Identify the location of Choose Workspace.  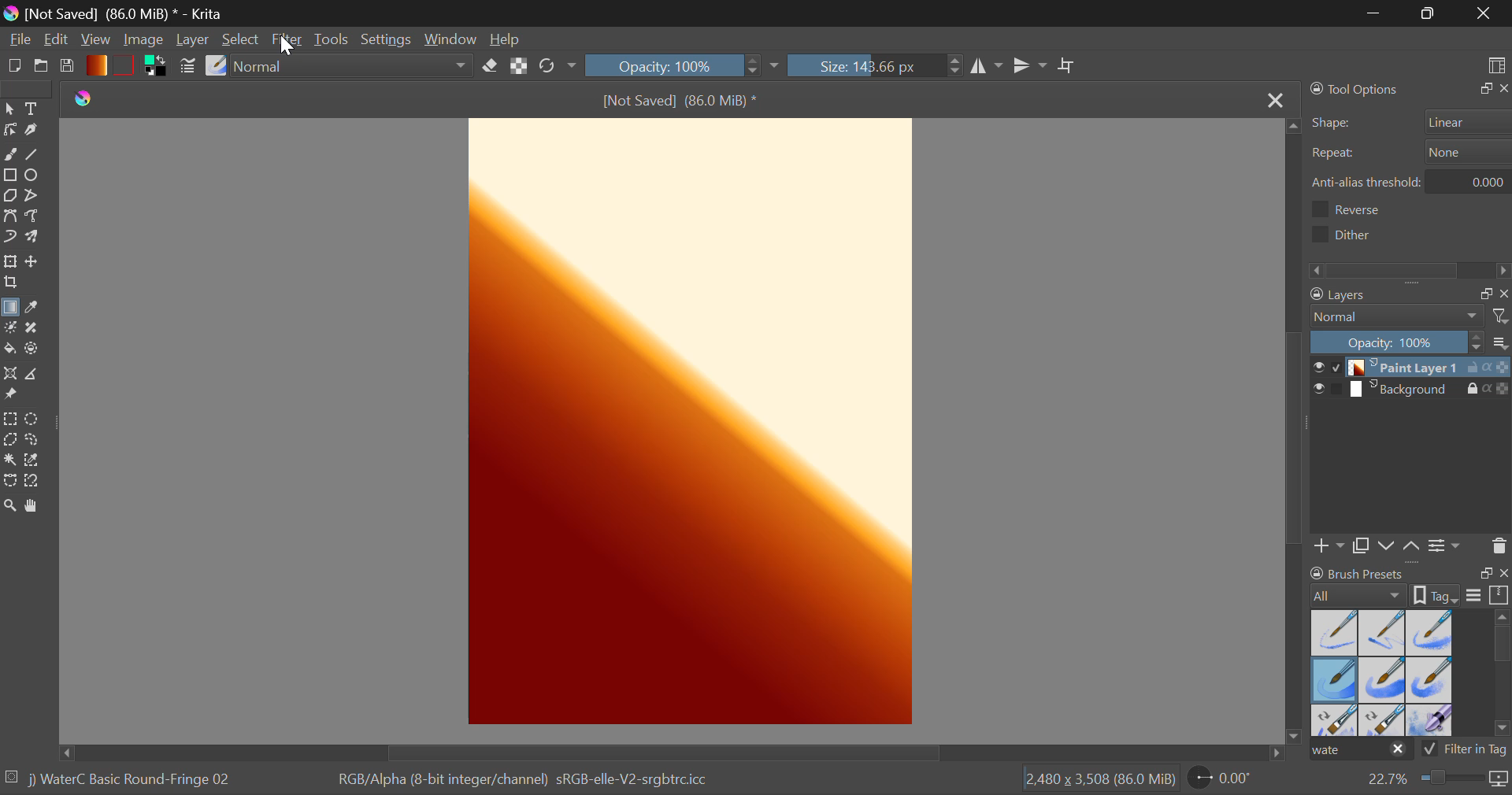
(1495, 64).